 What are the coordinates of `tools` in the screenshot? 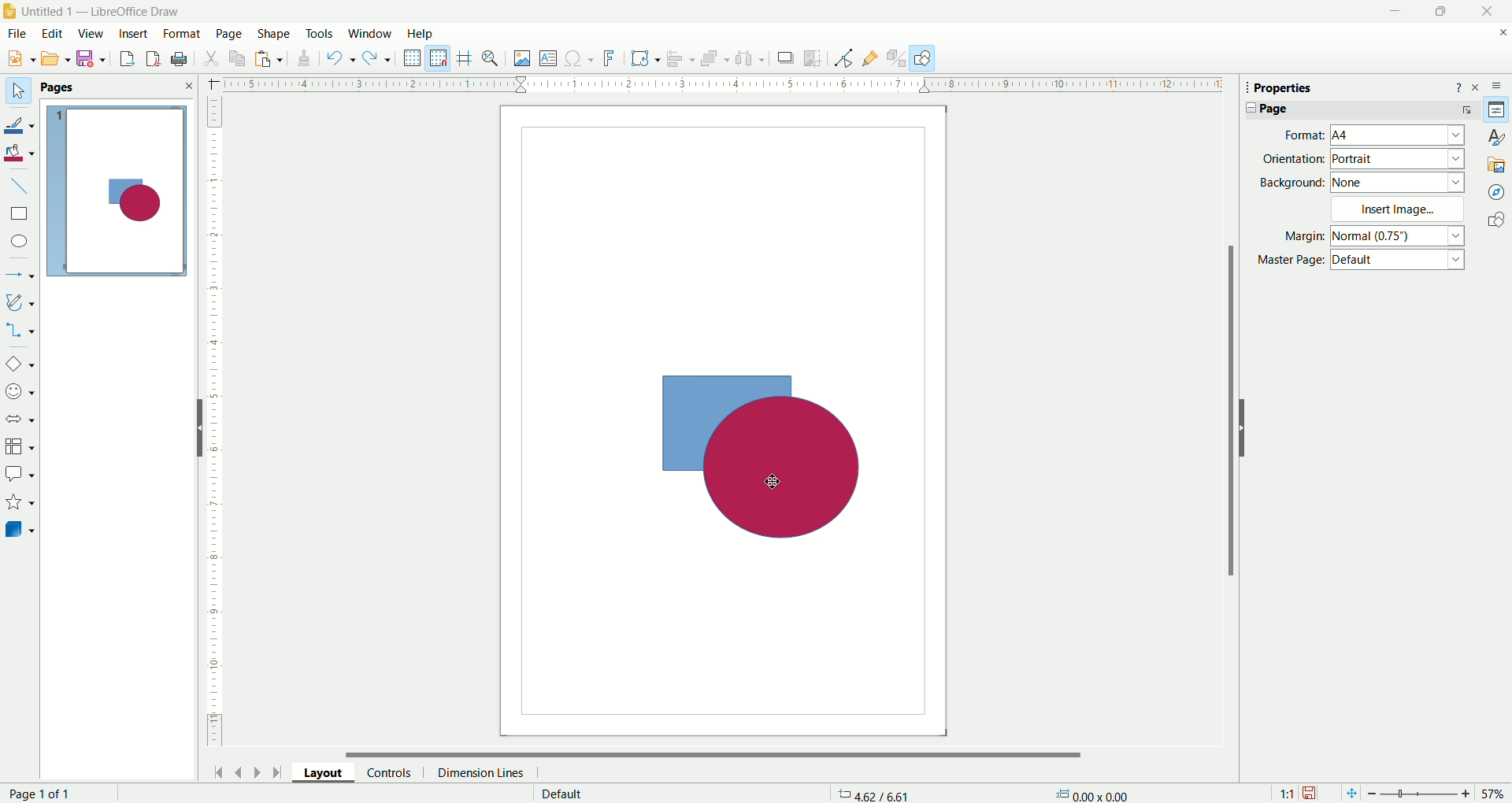 It's located at (320, 33).